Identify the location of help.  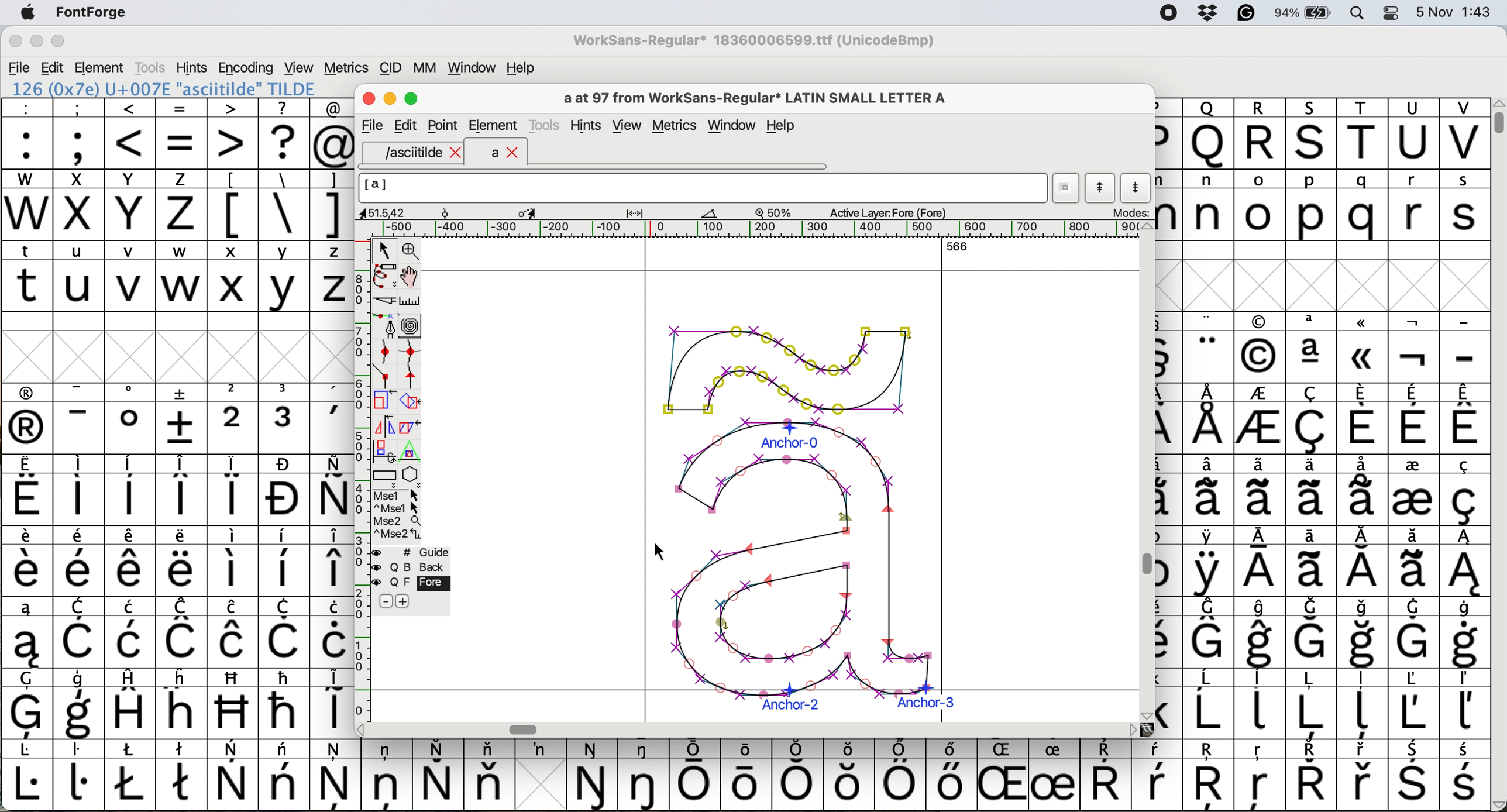
(522, 67).